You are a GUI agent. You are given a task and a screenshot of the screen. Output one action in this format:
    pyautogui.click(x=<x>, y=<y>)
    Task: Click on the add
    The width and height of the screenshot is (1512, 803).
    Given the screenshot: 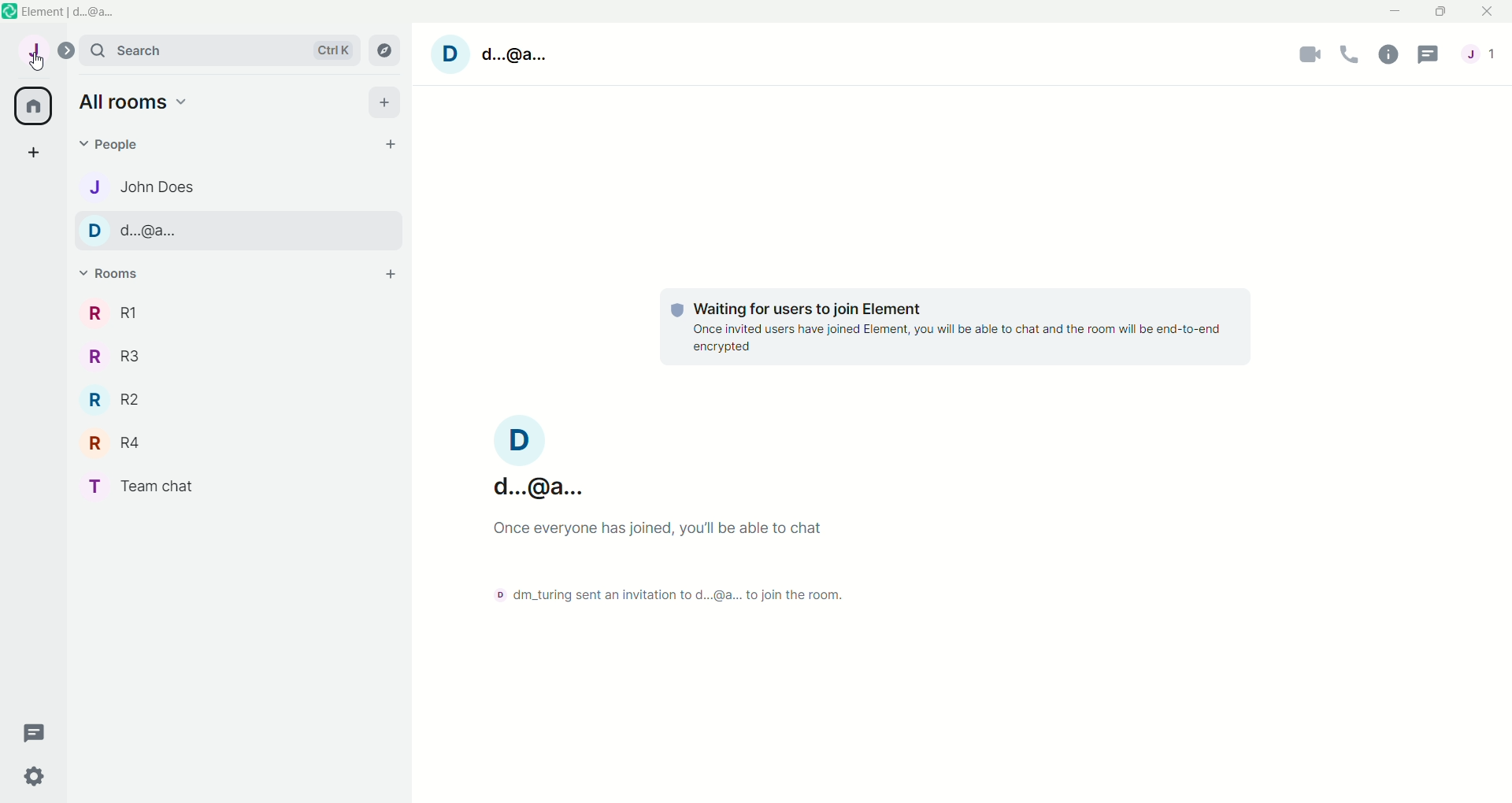 What is the action you would take?
    pyautogui.click(x=35, y=150)
    